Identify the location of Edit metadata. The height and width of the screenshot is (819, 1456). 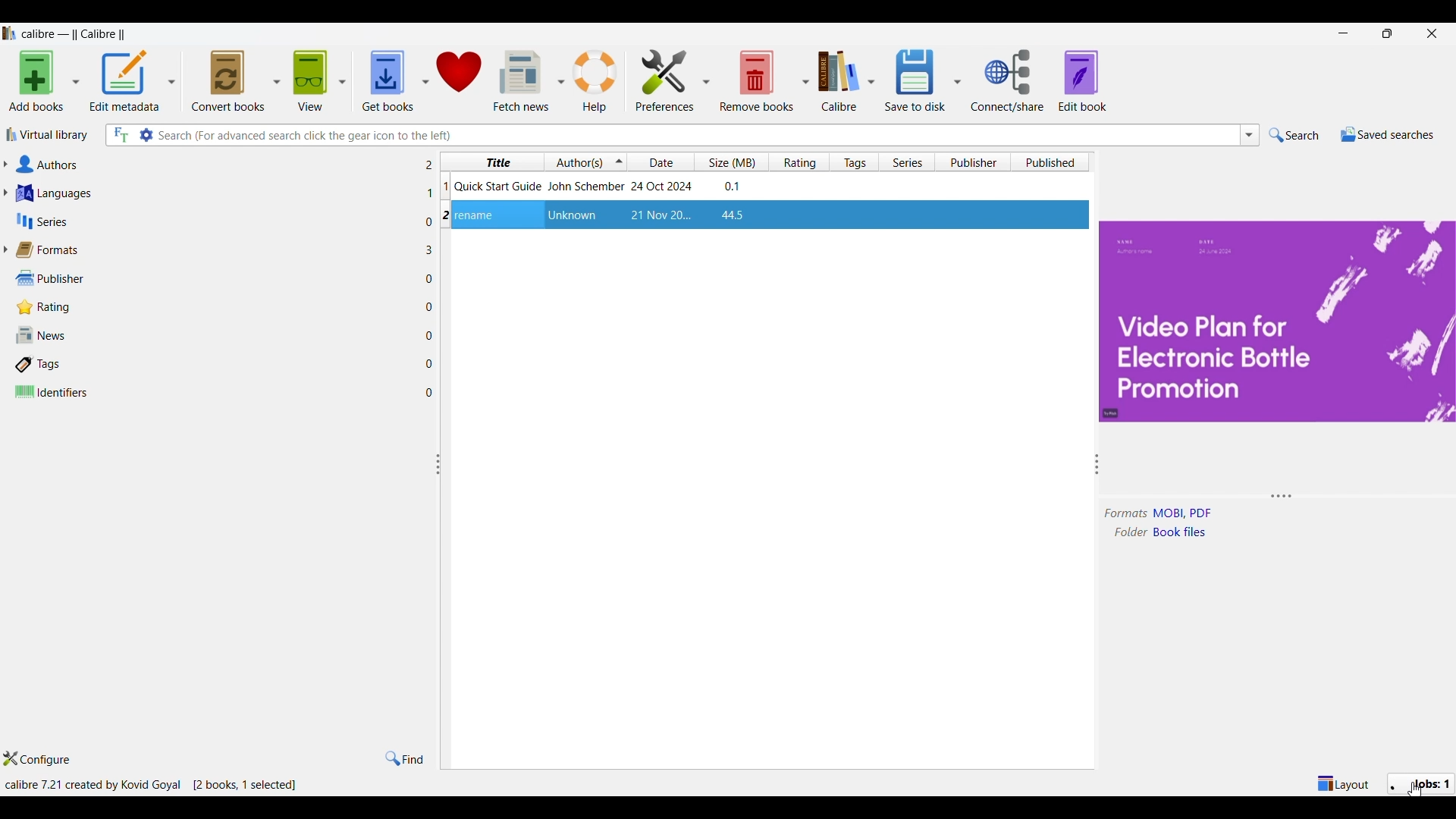
(124, 81).